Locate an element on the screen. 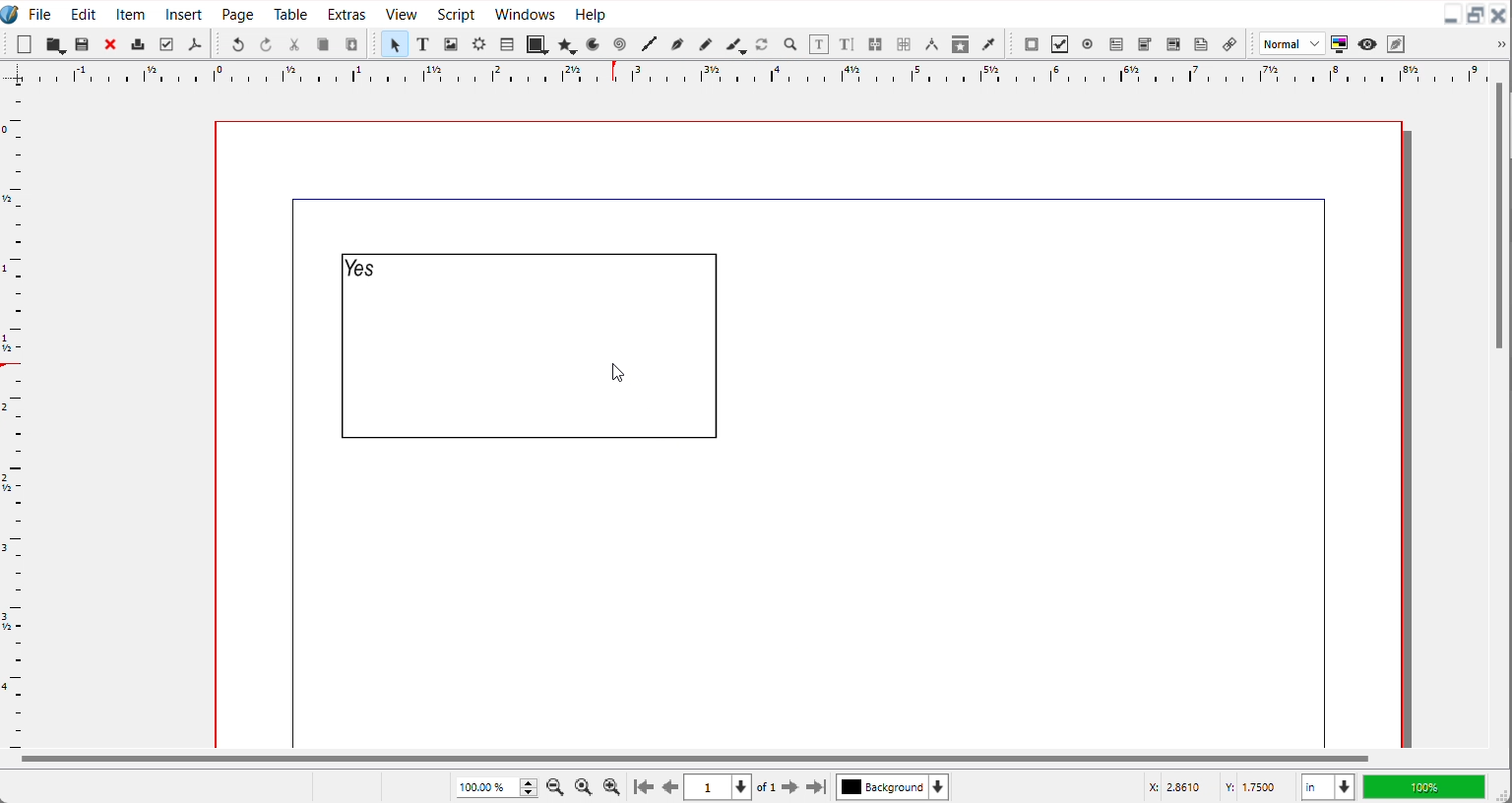 The height and width of the screenshot is (803, 1512). Drop down box is located at coordinates (1498, 44).